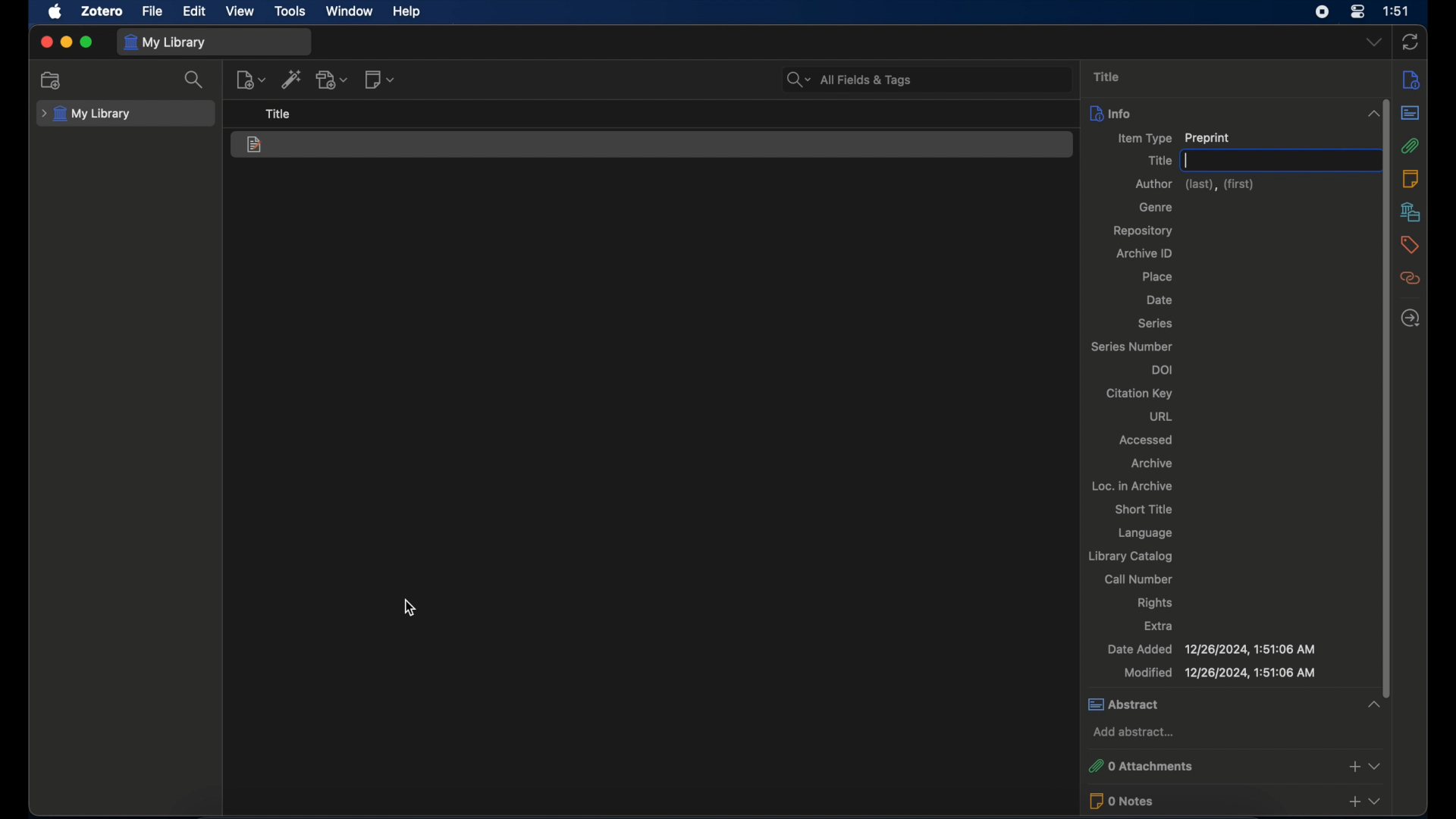 Image resolution: width=1456 pixels, height=819 pixels. I want to click on attachments, so click(1411, 146).